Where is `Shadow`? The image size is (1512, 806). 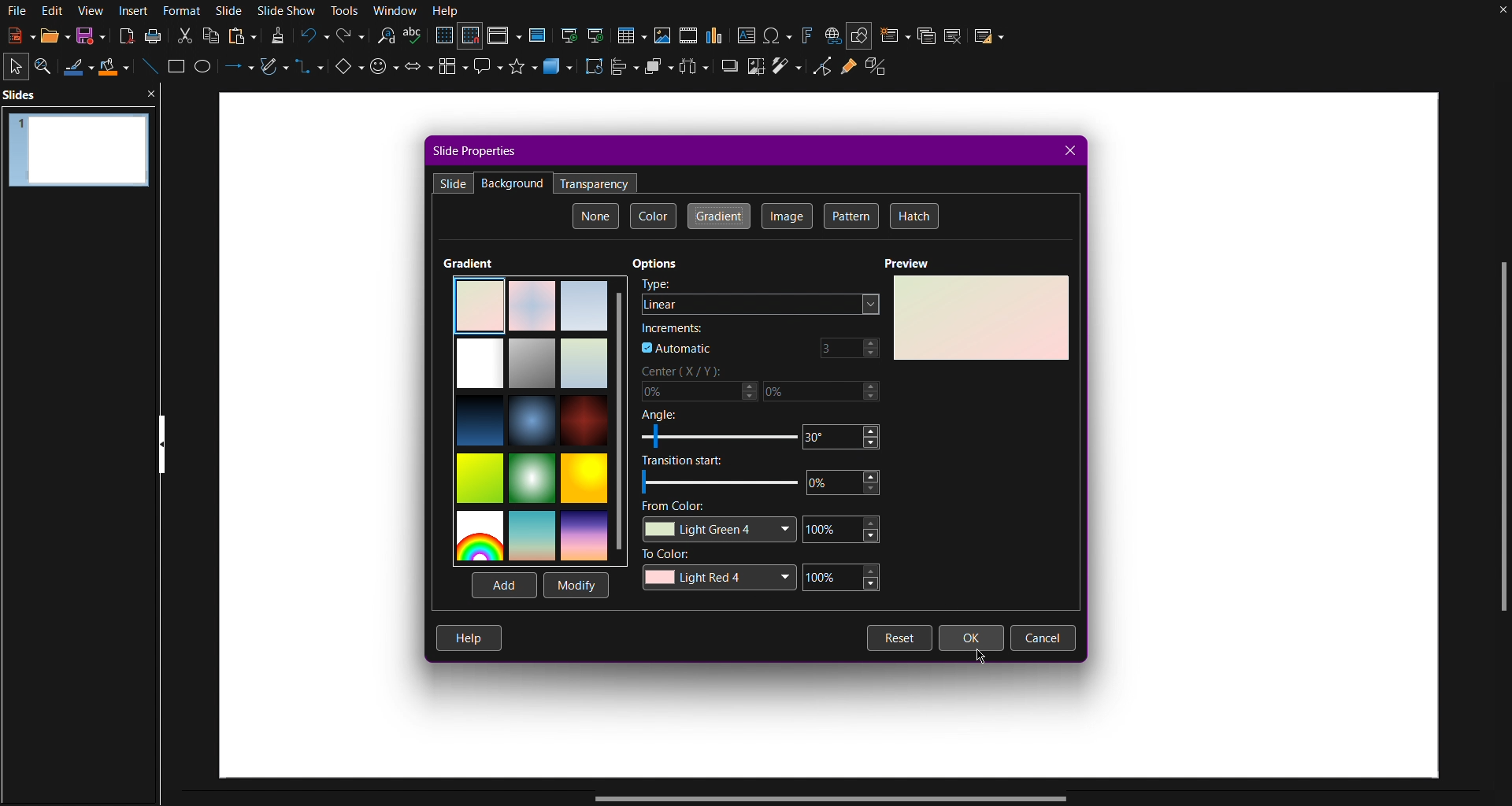
Shadow is located at coordinates (728, 72).